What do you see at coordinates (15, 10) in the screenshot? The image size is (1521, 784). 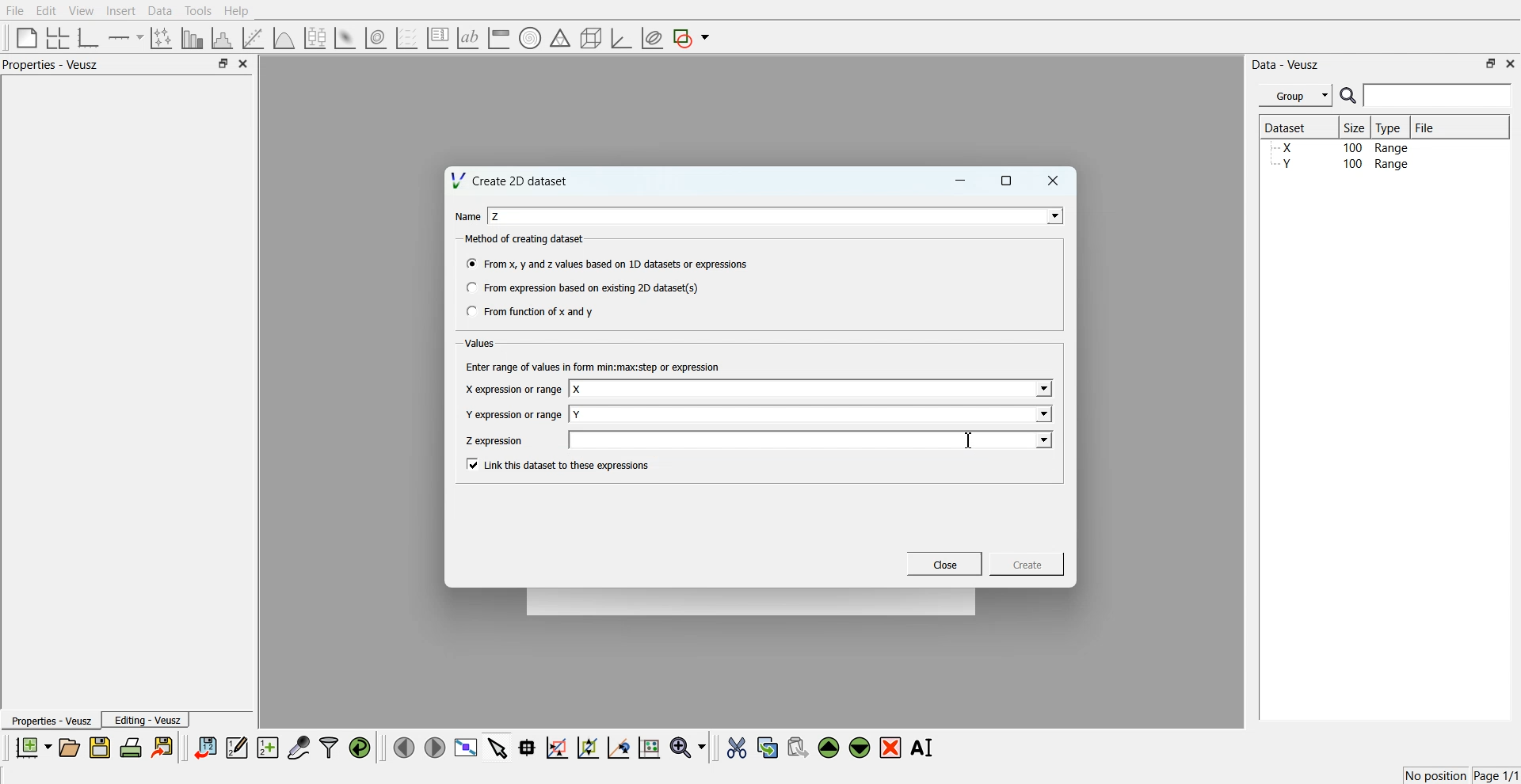 I see `File` at bounding box center [15, 10].